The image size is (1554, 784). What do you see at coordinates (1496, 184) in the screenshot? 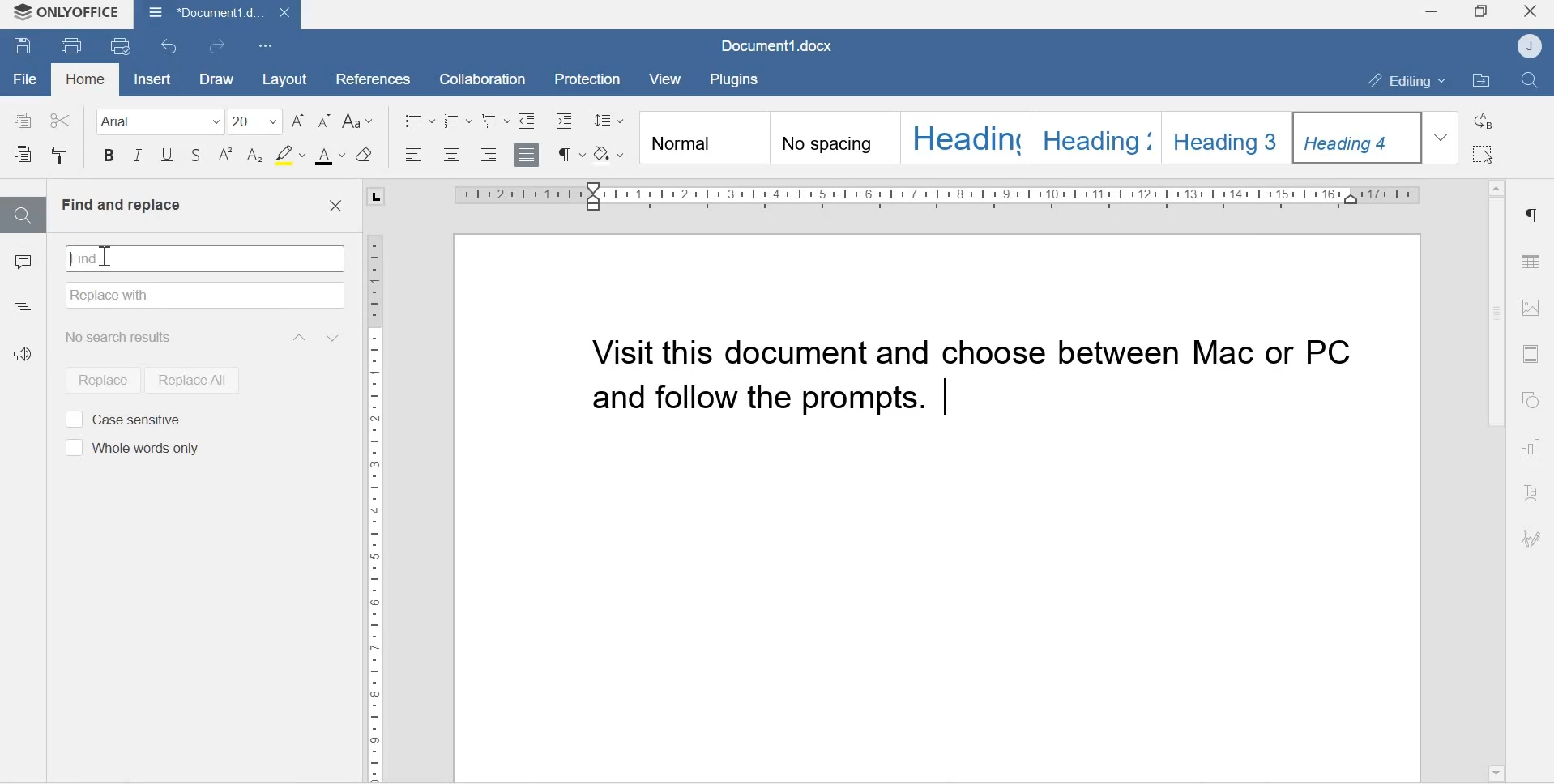
I see `Scroll up` at bounding box center [1496, 184].